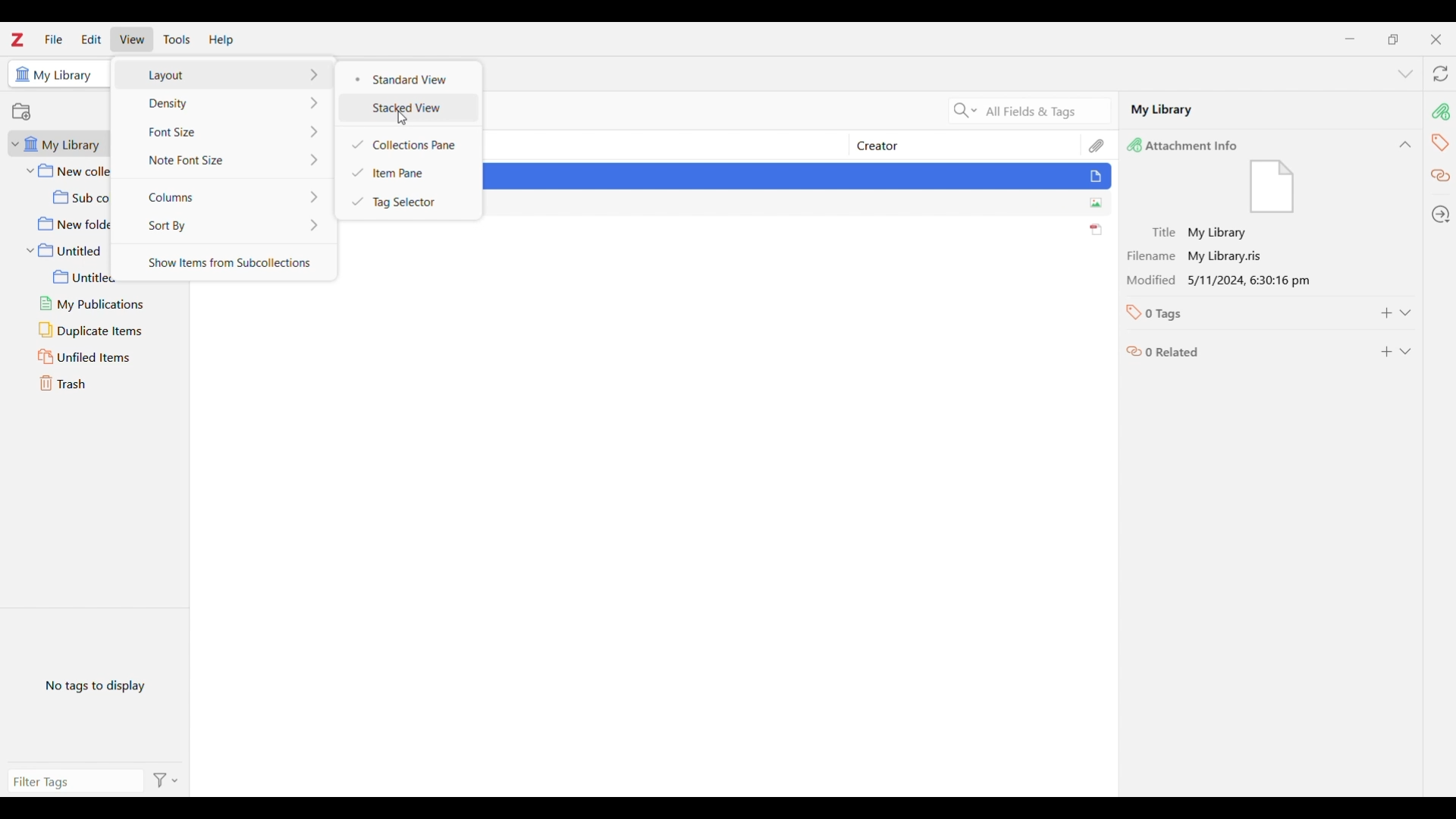 Image resolution: width=1456 pixels, height=819 pixels. What do you see at coordinates (408, 172) in the screenshot?
I see `Item pane checked` at bounding box center [408, 172].